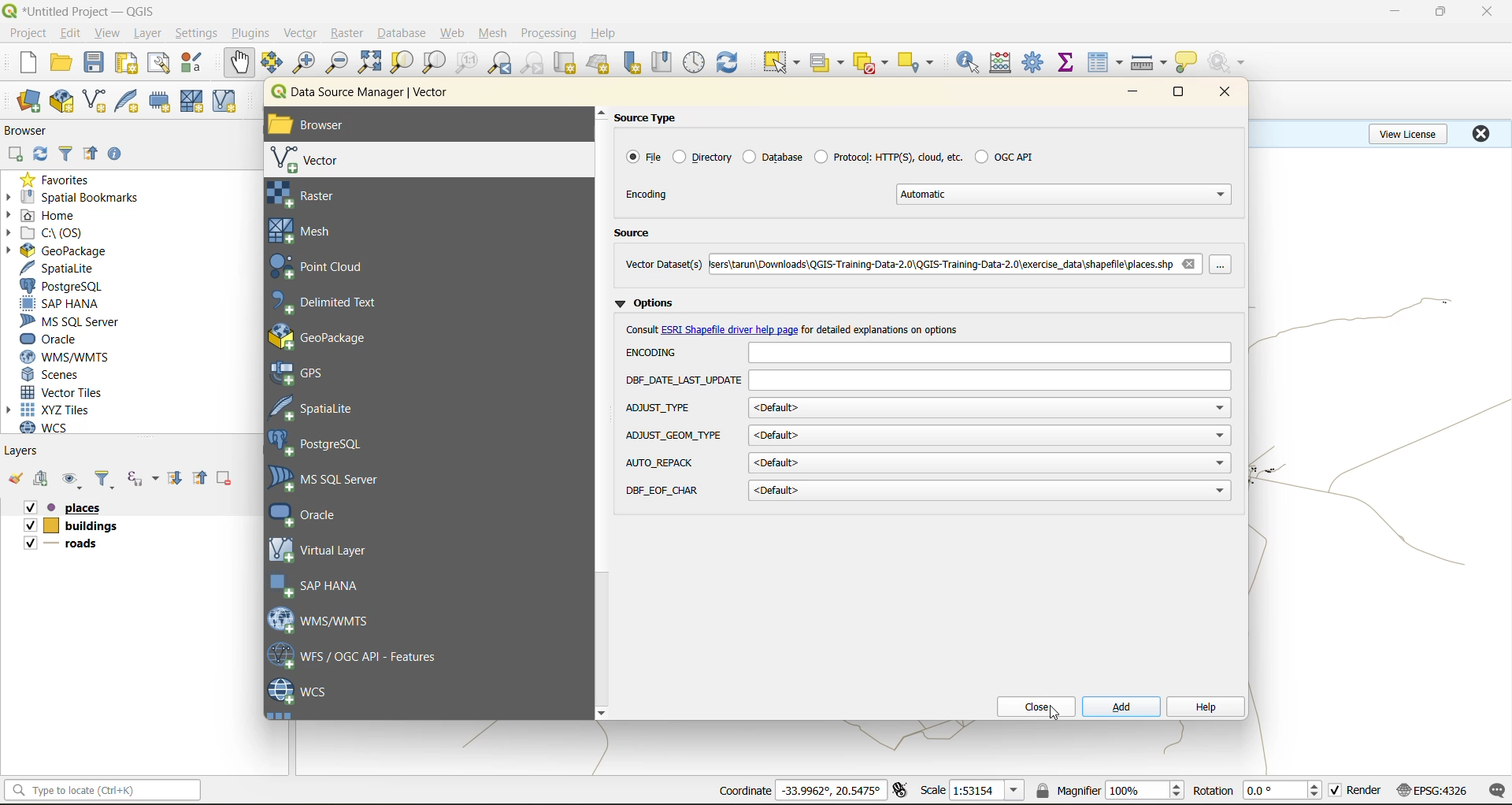  I want to click on deselect value, so click(873, 63).